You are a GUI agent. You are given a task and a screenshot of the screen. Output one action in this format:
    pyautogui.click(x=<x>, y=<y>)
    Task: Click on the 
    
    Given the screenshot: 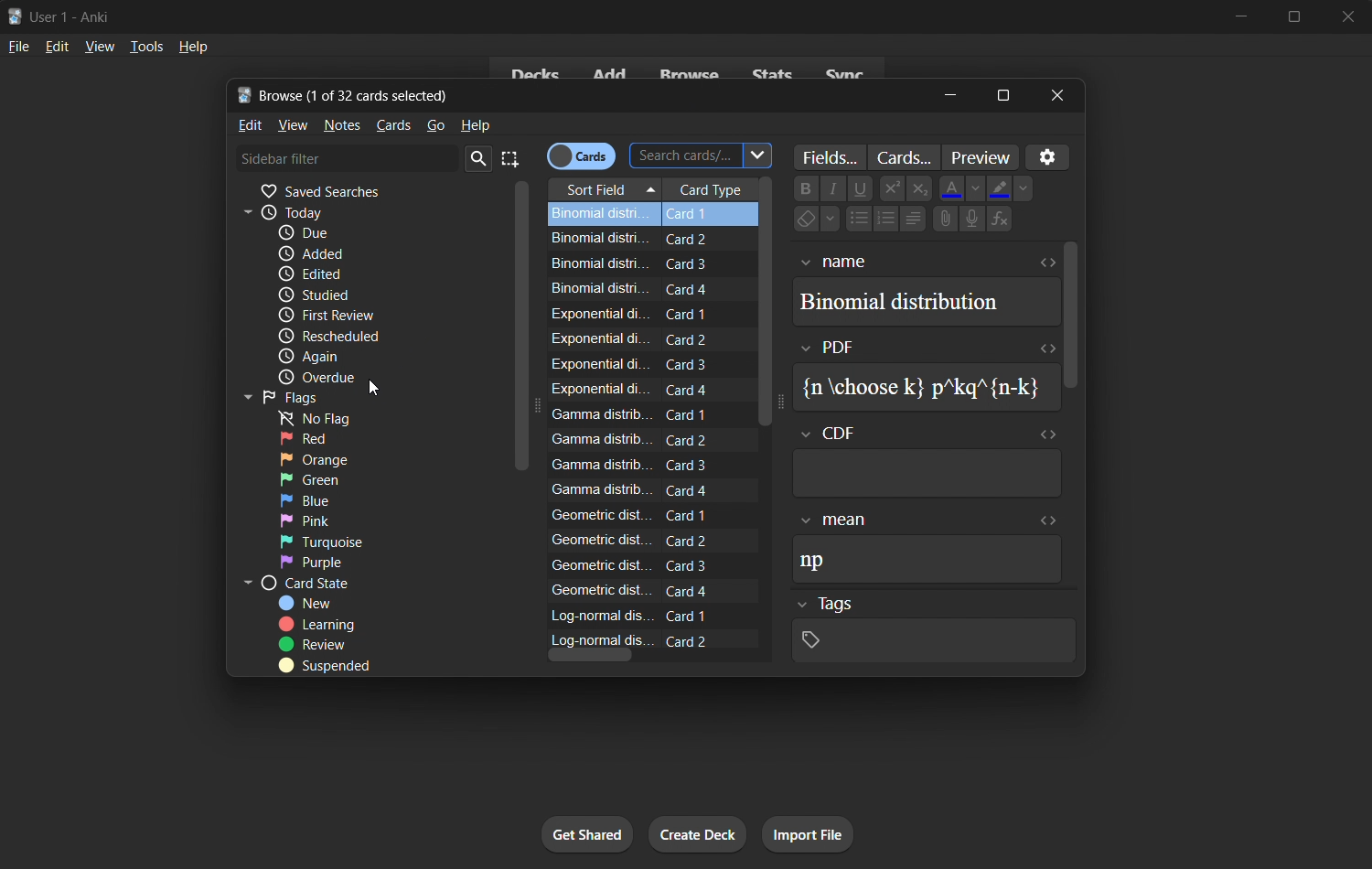 What is the action you would take?
    pyautogui.click(x=1001, y=187)
    